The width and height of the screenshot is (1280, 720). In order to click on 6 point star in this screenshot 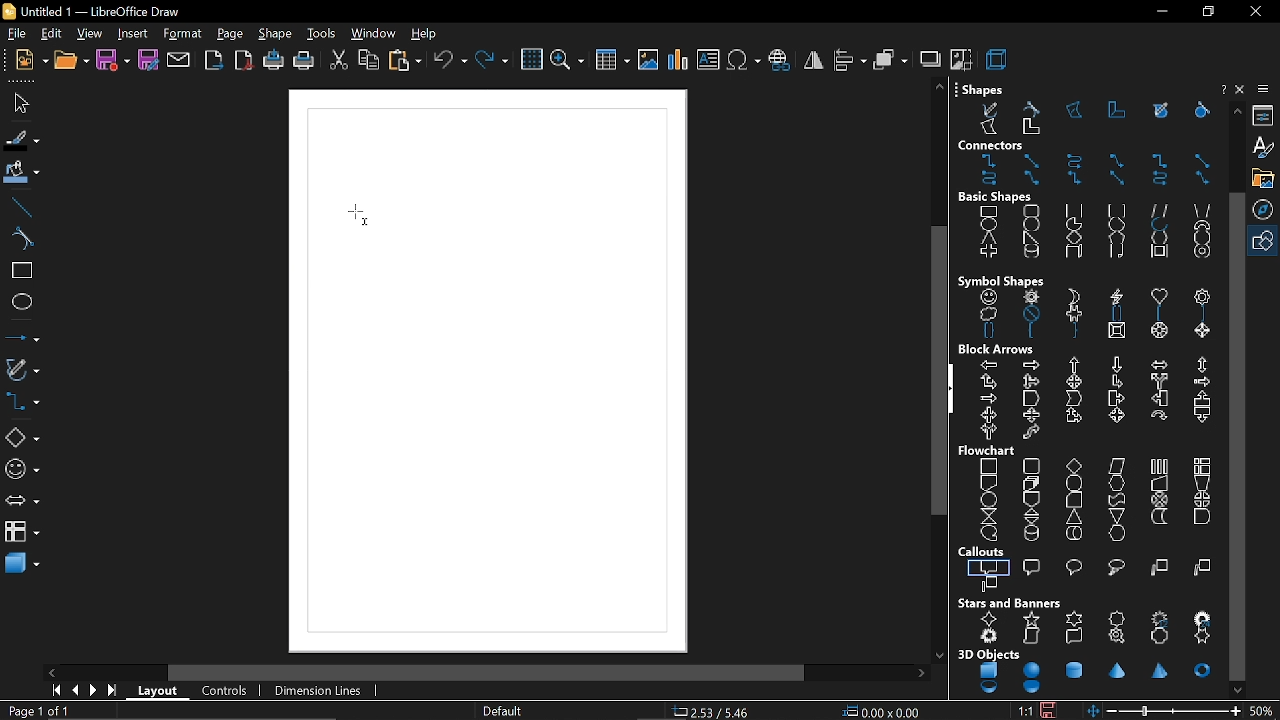, I will do `click(1073, 619)`.